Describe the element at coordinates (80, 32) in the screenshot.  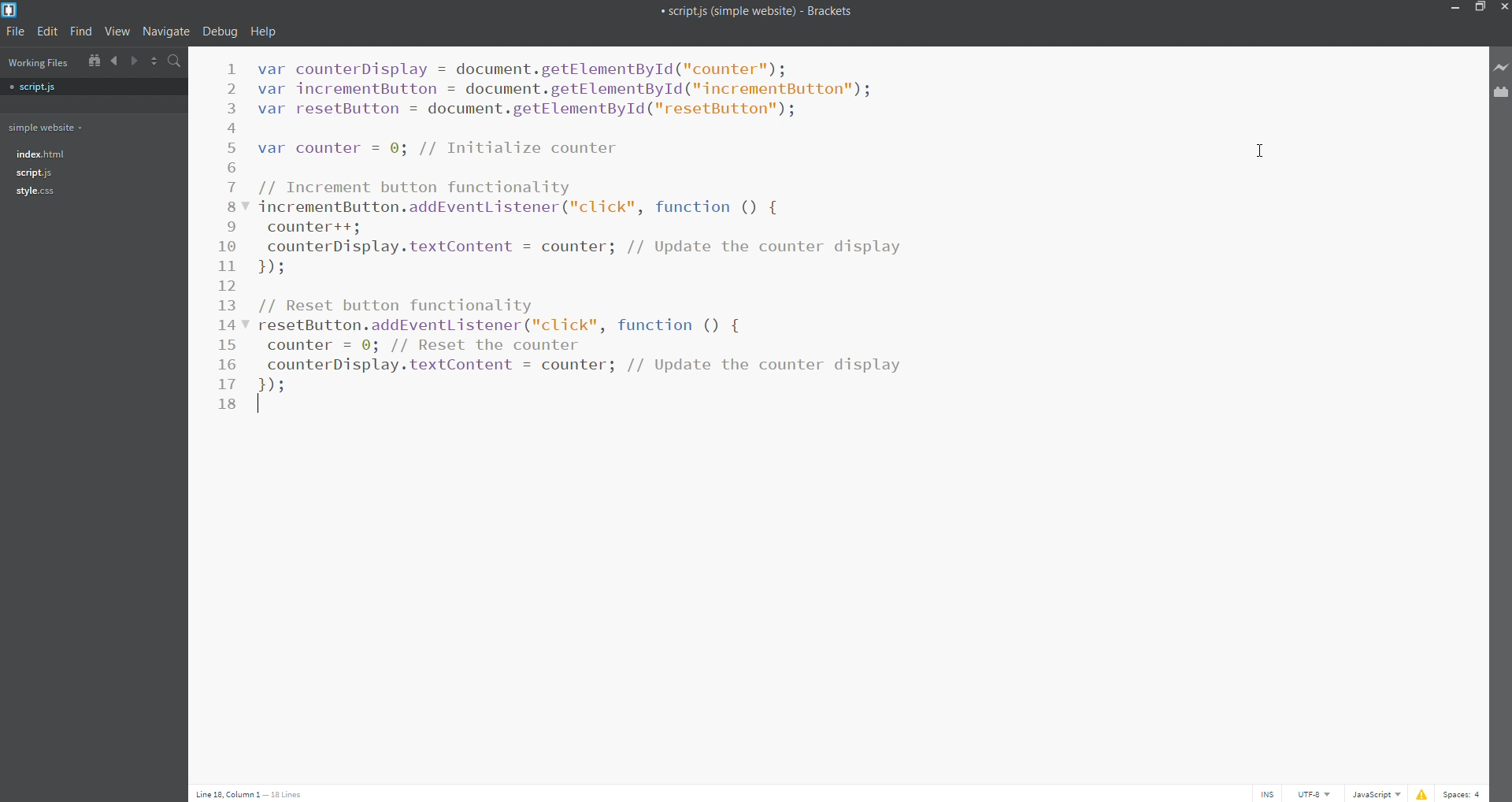
I see `find` at that location.